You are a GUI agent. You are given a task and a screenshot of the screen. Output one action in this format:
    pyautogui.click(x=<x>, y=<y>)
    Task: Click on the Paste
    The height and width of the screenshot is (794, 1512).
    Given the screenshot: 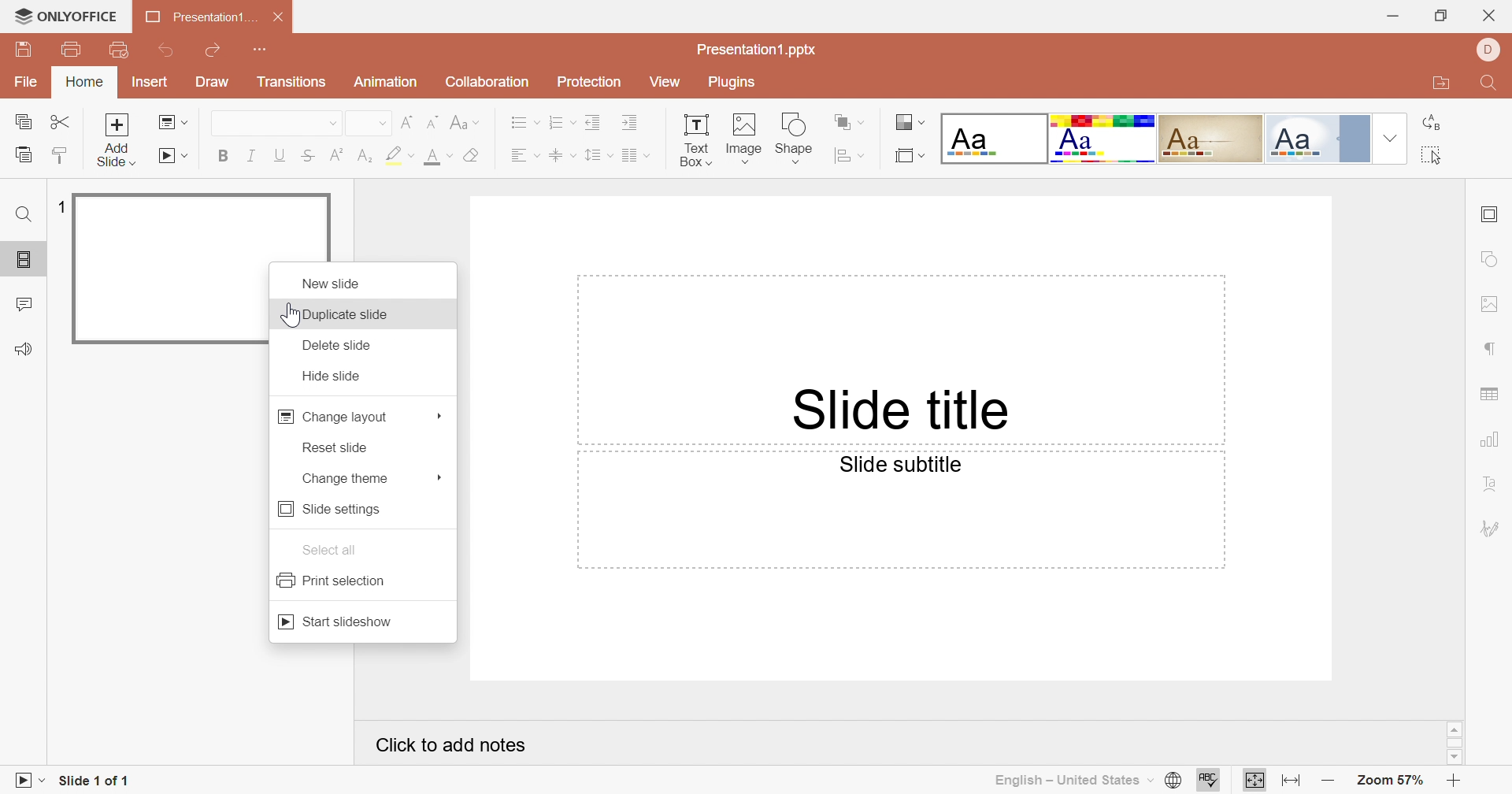 What is the action you would take?
    pyautogui.click(x=24, y=152)
    